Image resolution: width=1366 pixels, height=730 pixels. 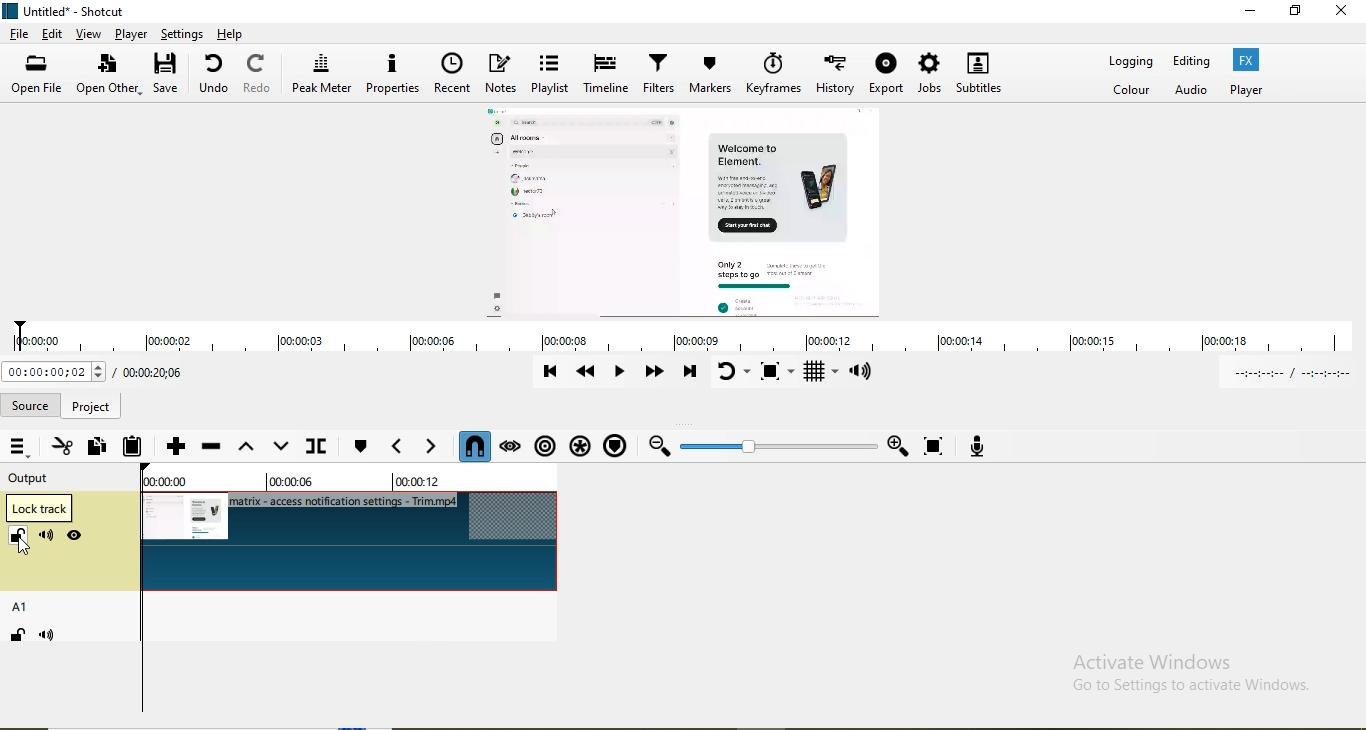 I want to click on Time markers, so click(x=344, y=482).